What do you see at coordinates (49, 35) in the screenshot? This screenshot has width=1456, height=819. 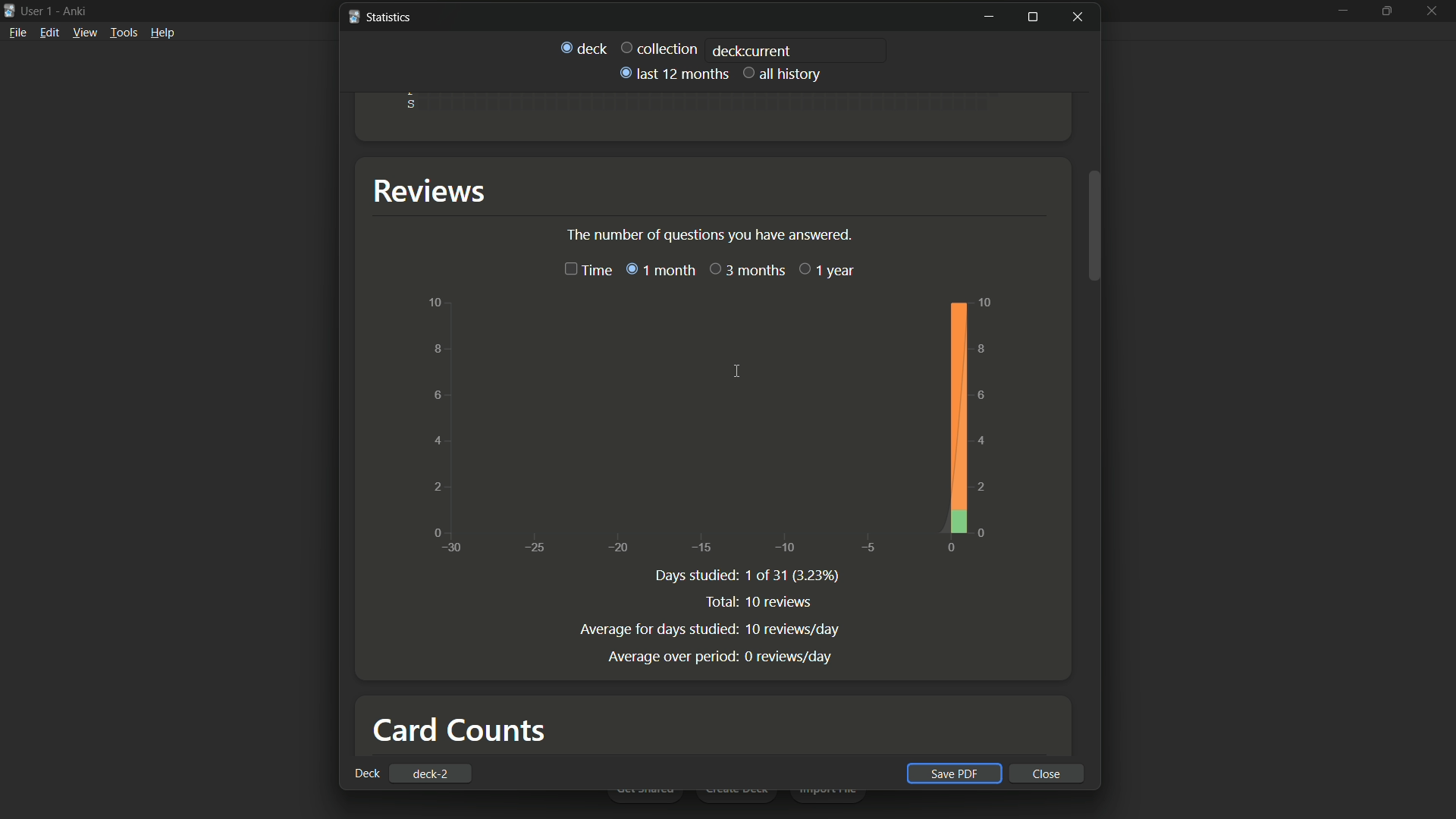 I see `Edit` at bounding box center [49, 35].